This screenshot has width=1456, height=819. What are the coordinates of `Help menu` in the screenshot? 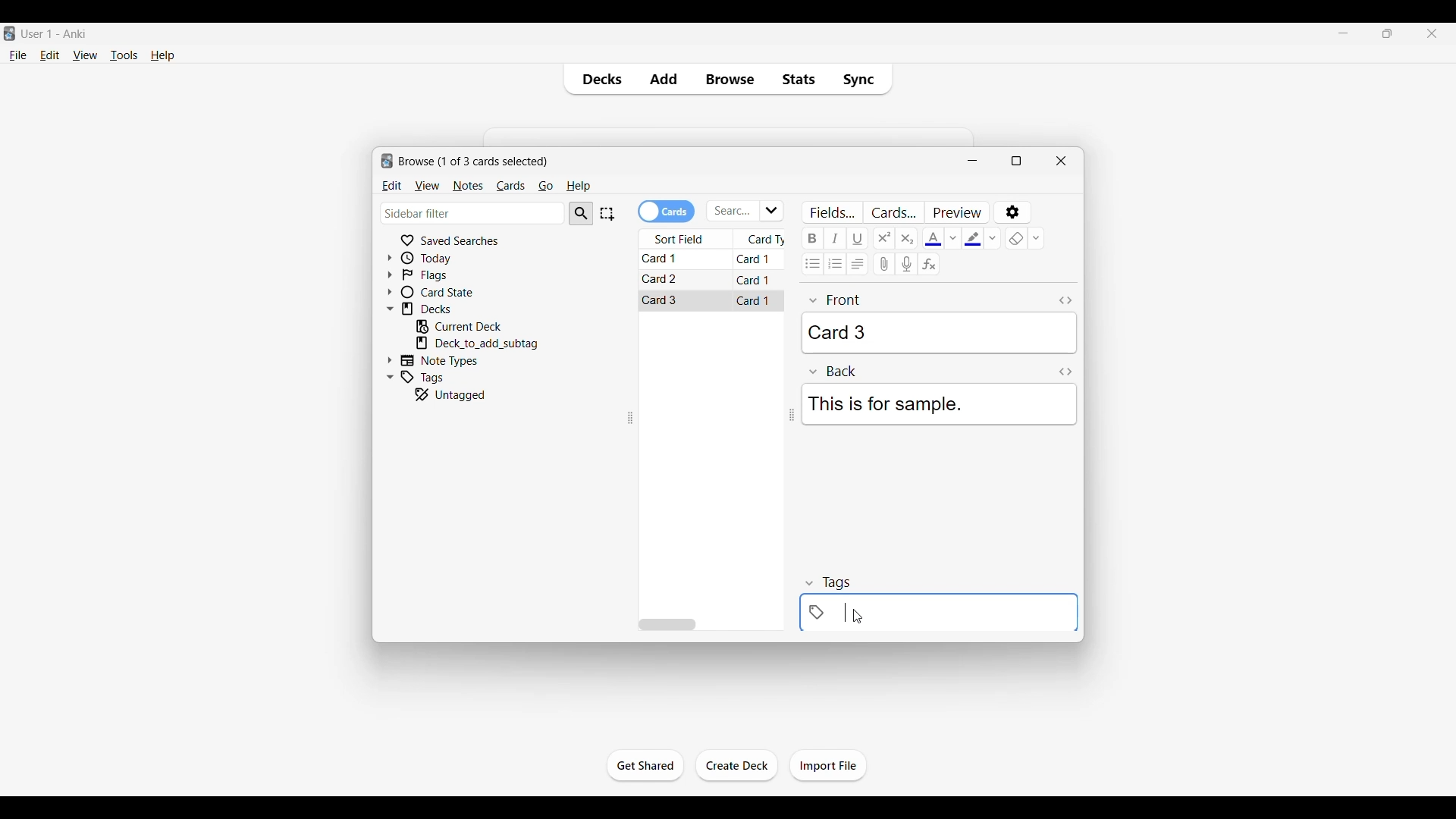 It's located at (162, 55).